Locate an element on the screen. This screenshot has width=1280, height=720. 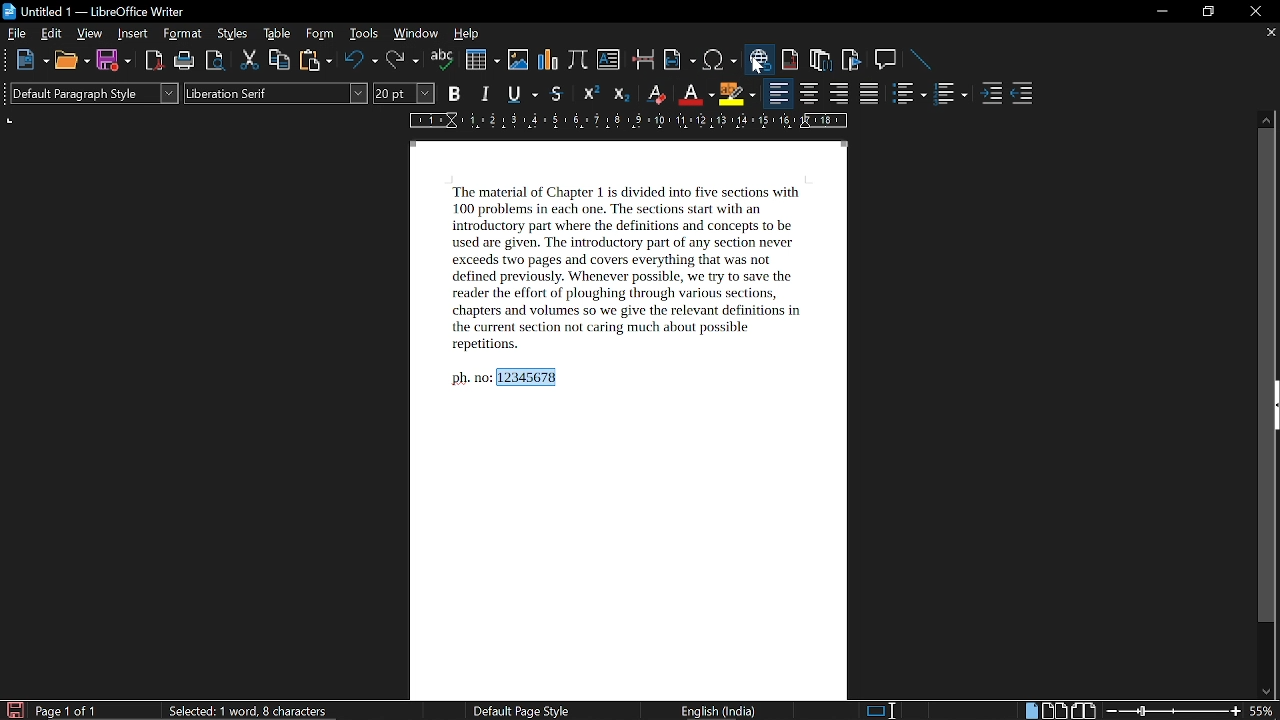
default page style is located at coordinates (522, 711).